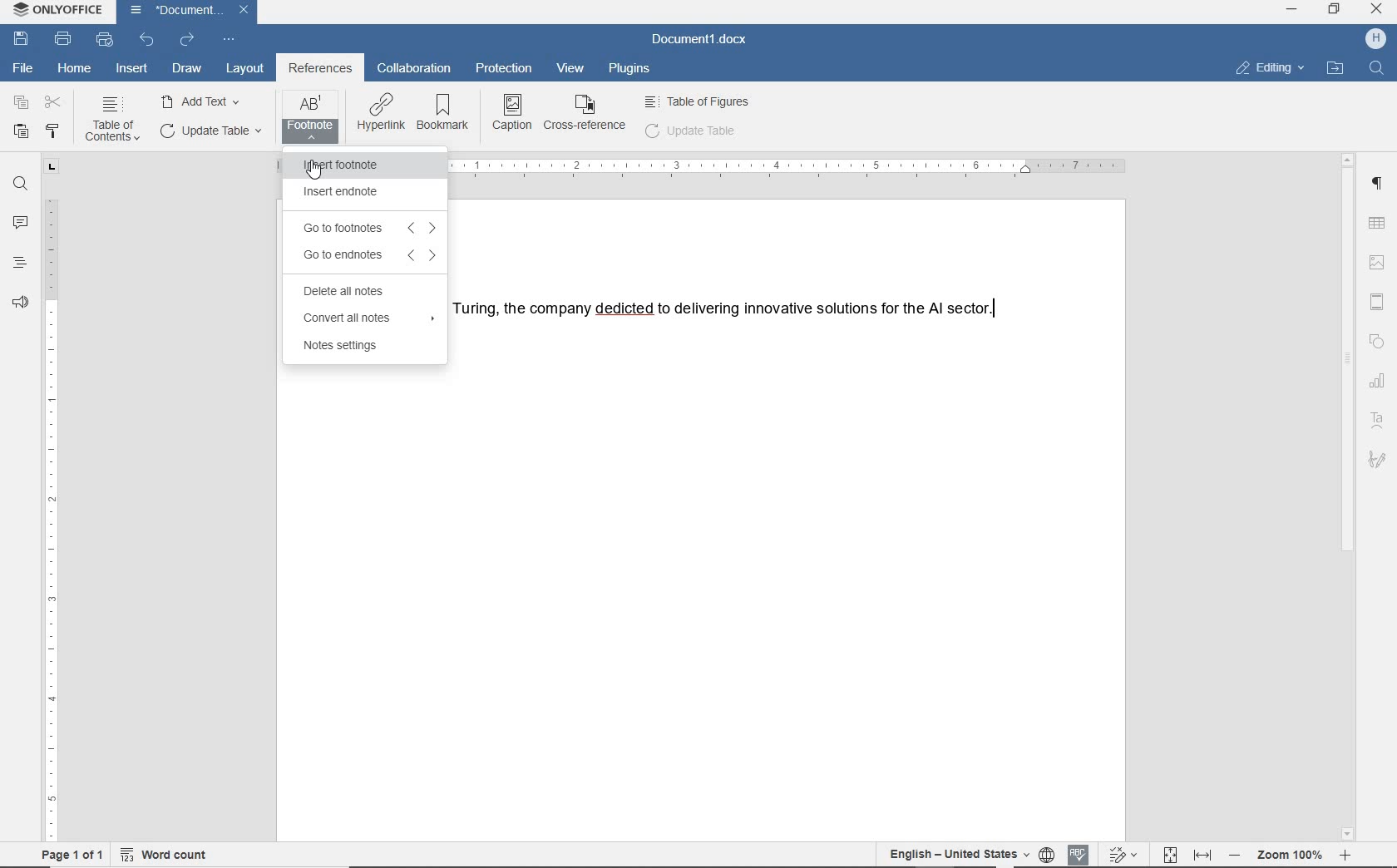 Image resolution: width=1397 pixels, height=868 pixels. I want to click on save, so click(21, 39).